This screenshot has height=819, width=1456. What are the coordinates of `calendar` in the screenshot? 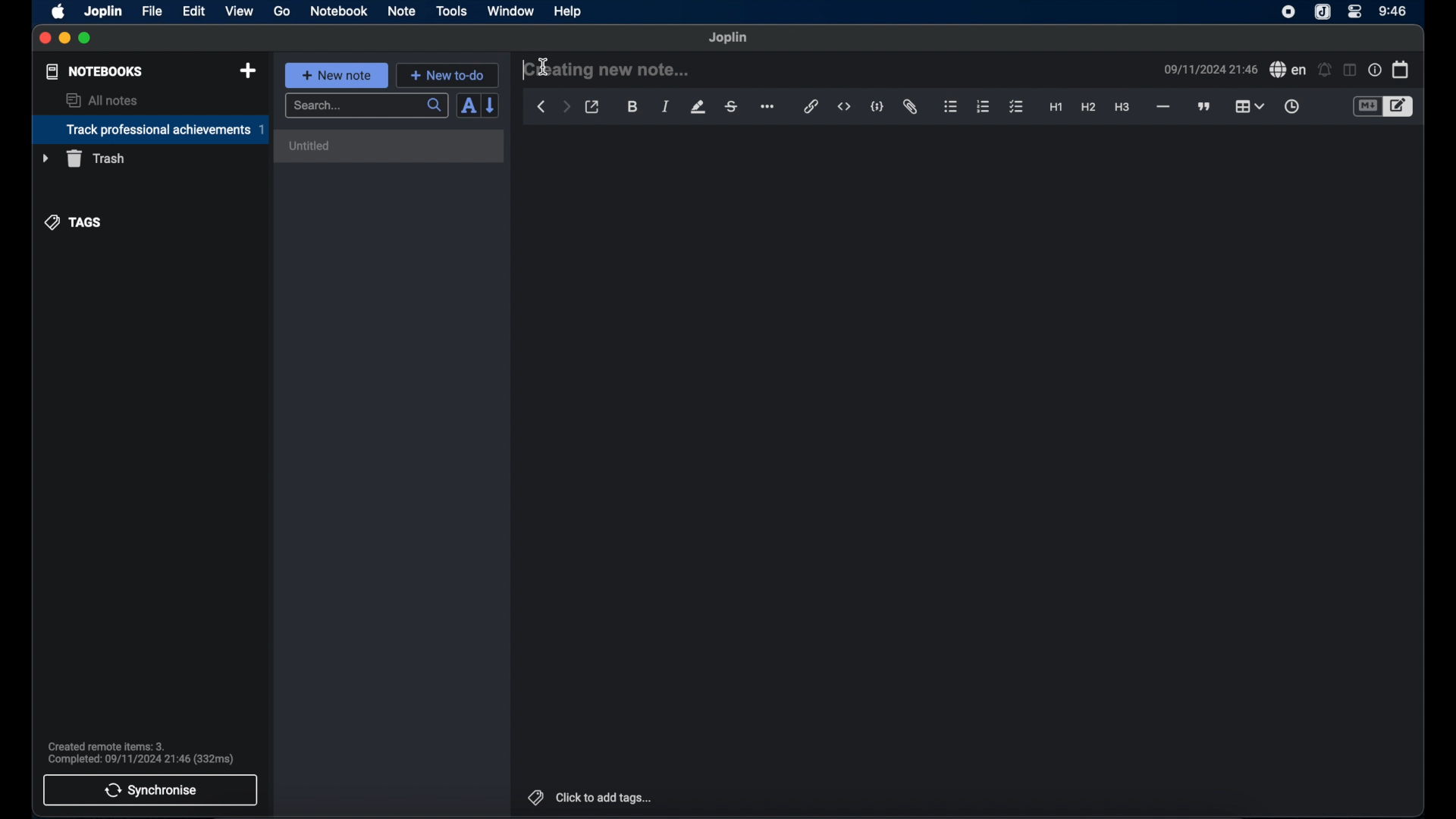 It's located at (1401, 69).